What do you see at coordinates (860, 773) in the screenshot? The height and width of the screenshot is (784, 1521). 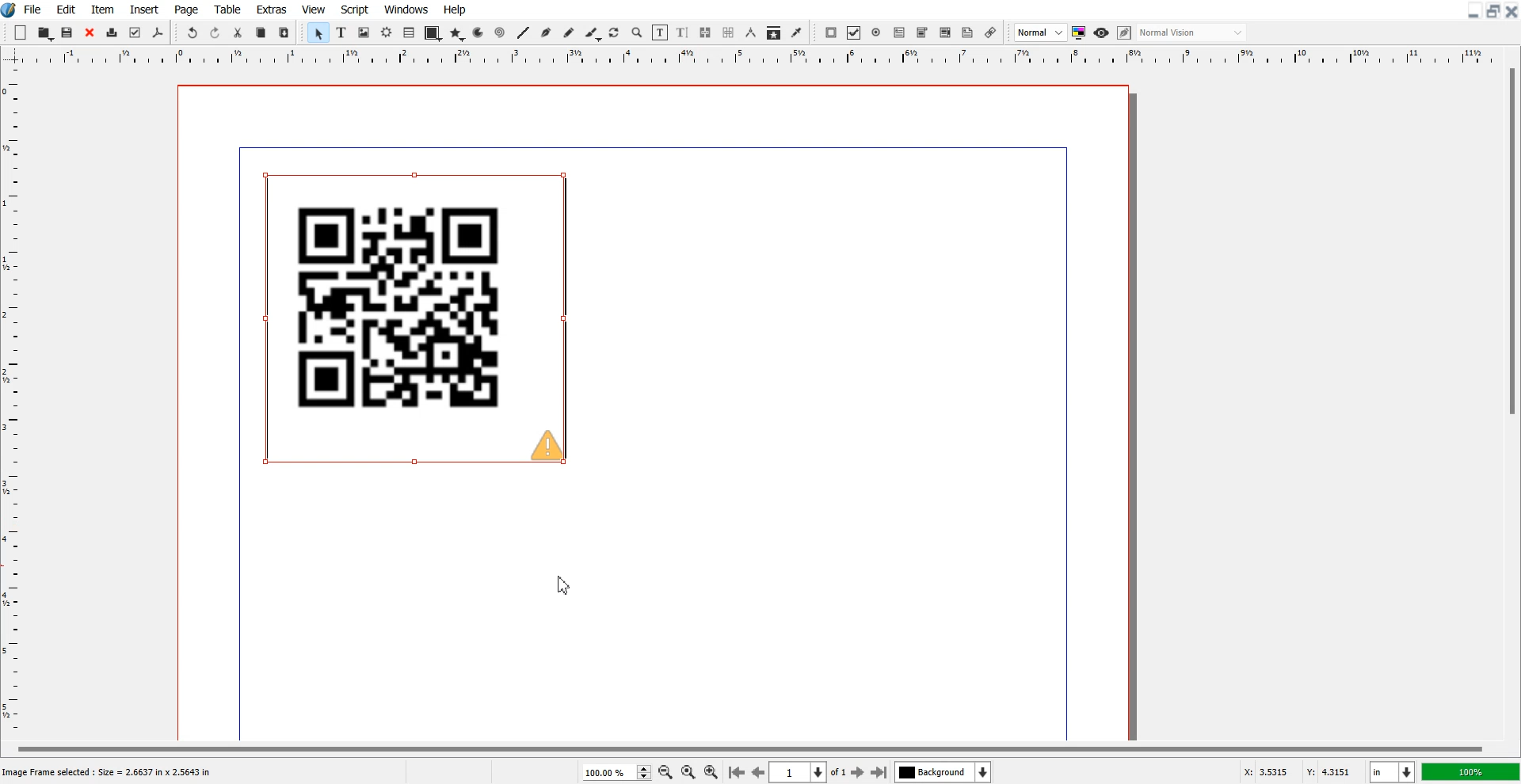 I see `Go to Next Page` at bounding box center [860, 773].